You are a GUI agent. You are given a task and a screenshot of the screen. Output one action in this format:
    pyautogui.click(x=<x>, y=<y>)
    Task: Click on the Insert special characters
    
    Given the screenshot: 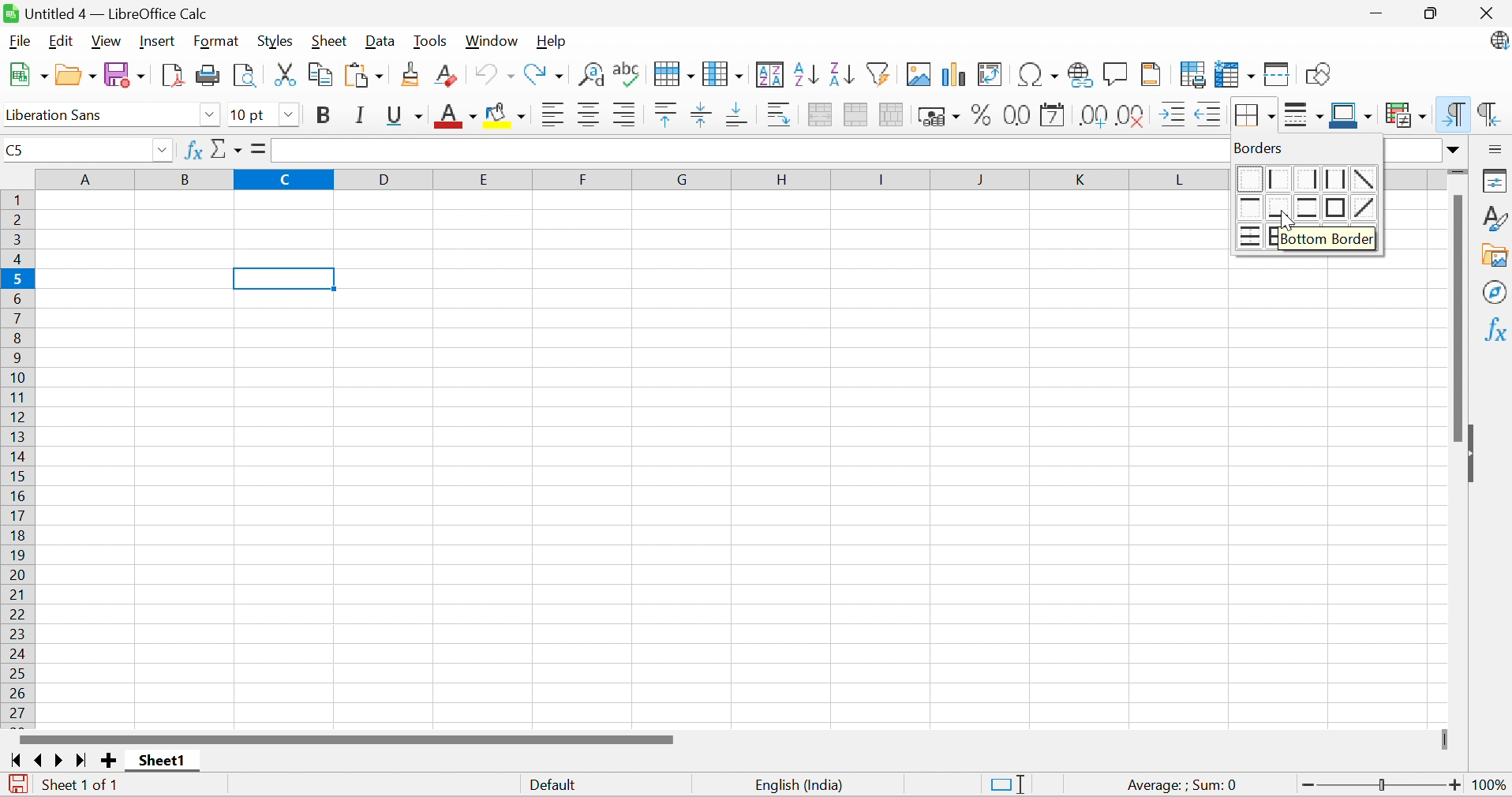 What is the action you would take?
    pyautogui.click(x=1039, y=74)
    